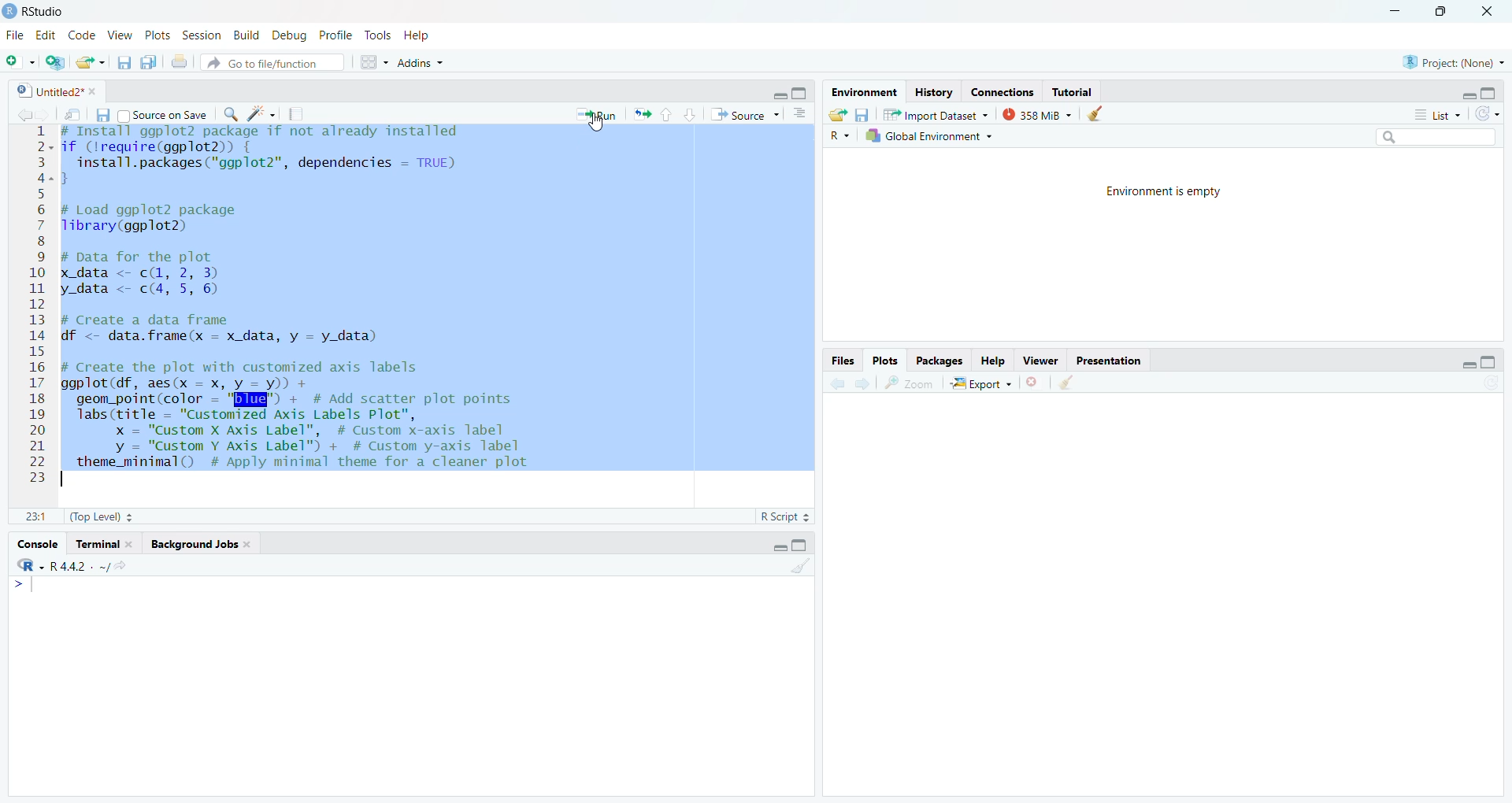 Image resolution: width=1512 pixels, height=803 pixels. I want to click on Session, so click(201, 35).